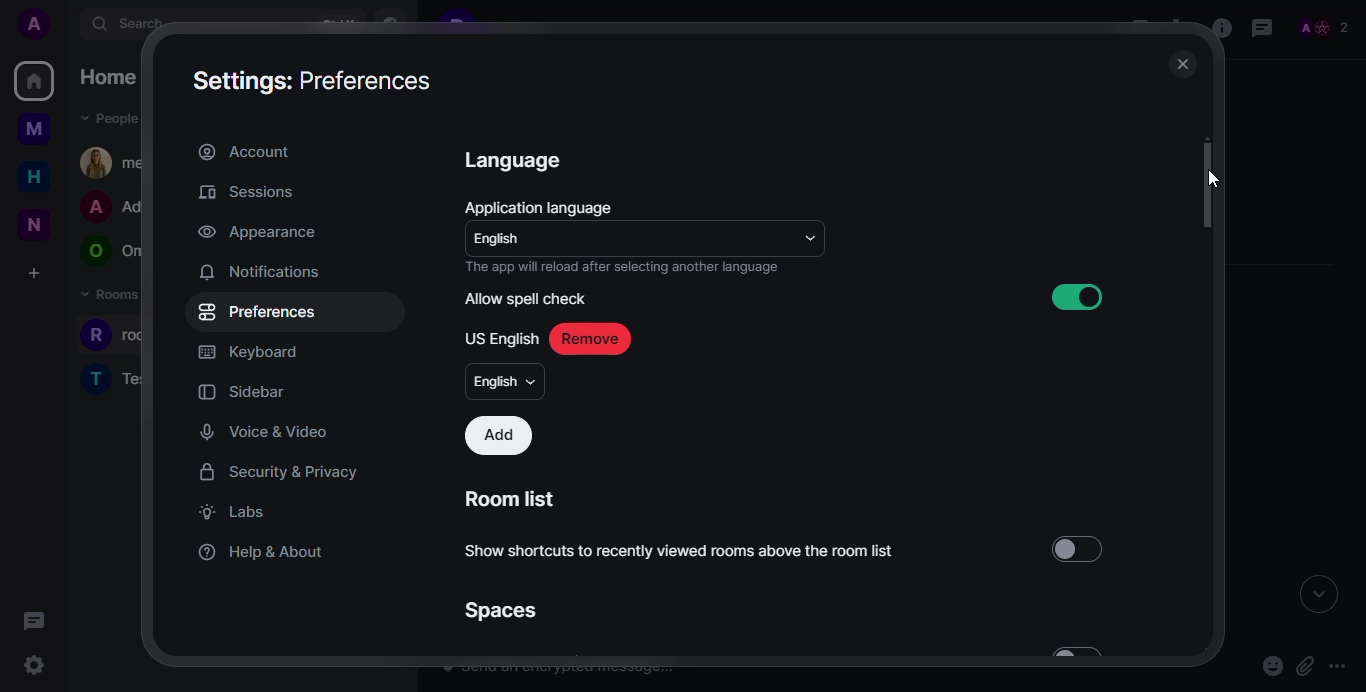  I want to click on notifications, so click(259, 271).